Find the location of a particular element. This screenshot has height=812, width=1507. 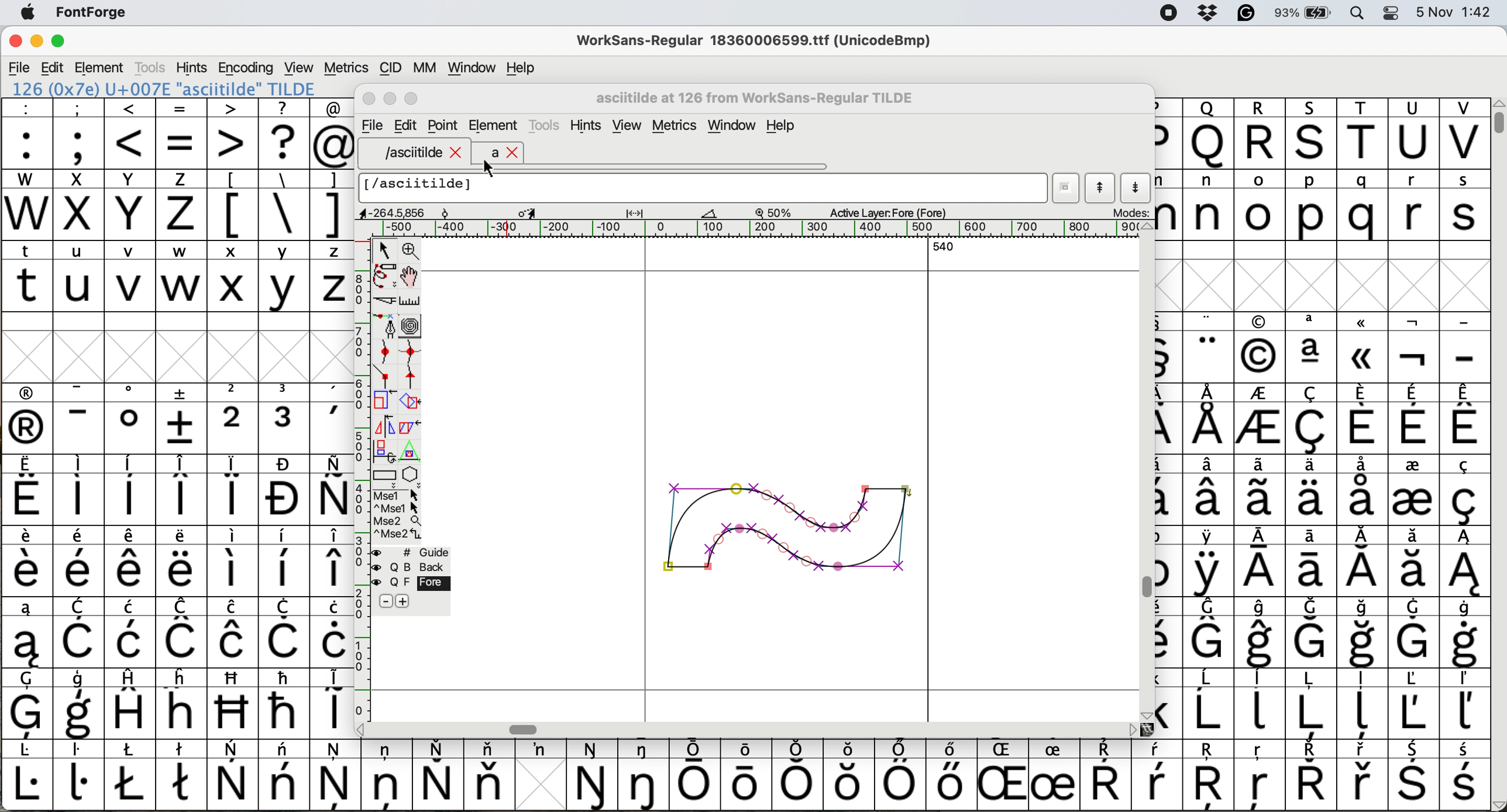

Maximise is located at coordinates (414, 99).